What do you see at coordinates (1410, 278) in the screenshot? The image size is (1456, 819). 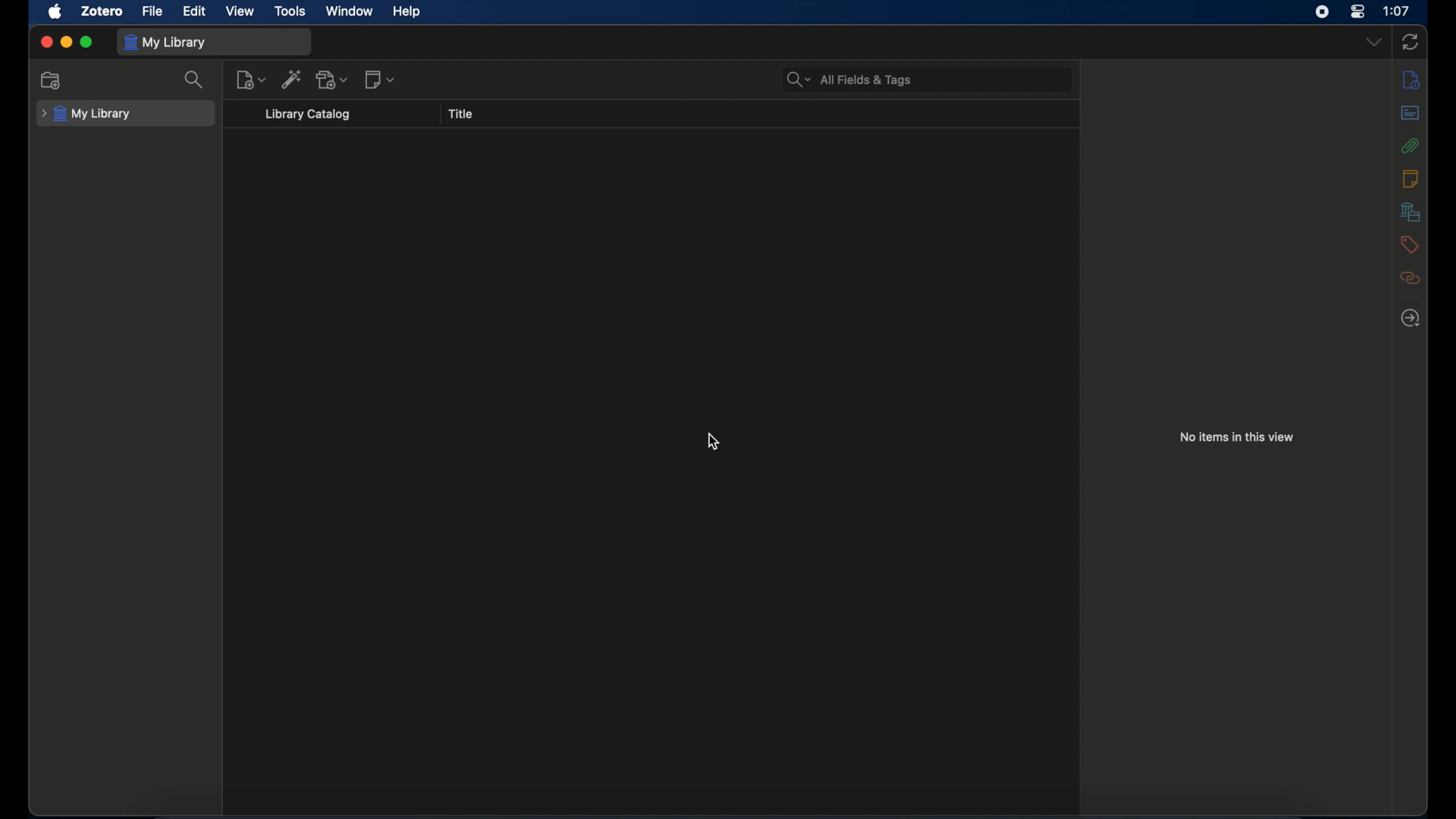 I see `related` at bounding box center [1410, 278].